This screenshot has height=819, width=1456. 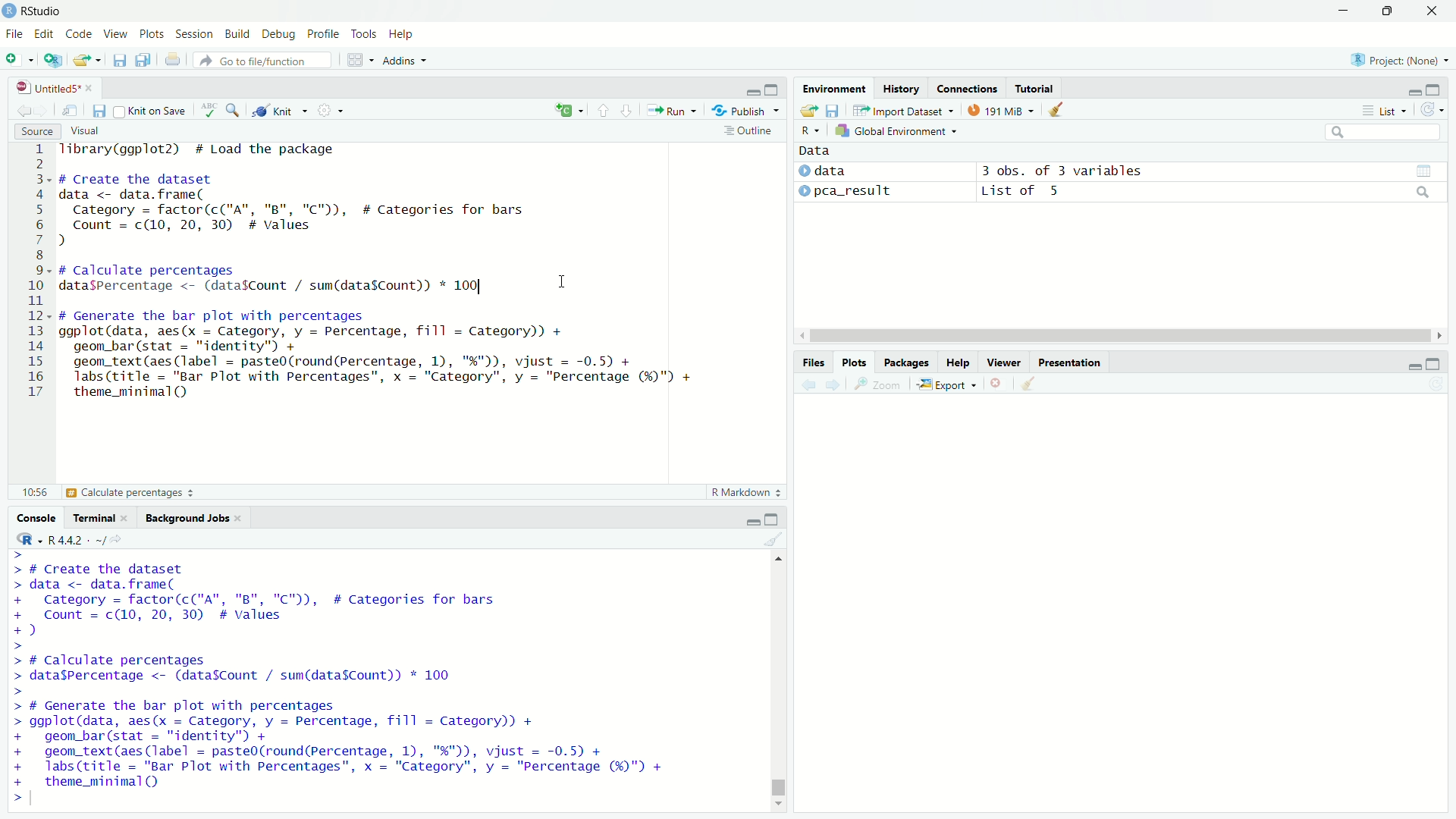 I want to click on file name: untitled5, so click(x=55, y=88).